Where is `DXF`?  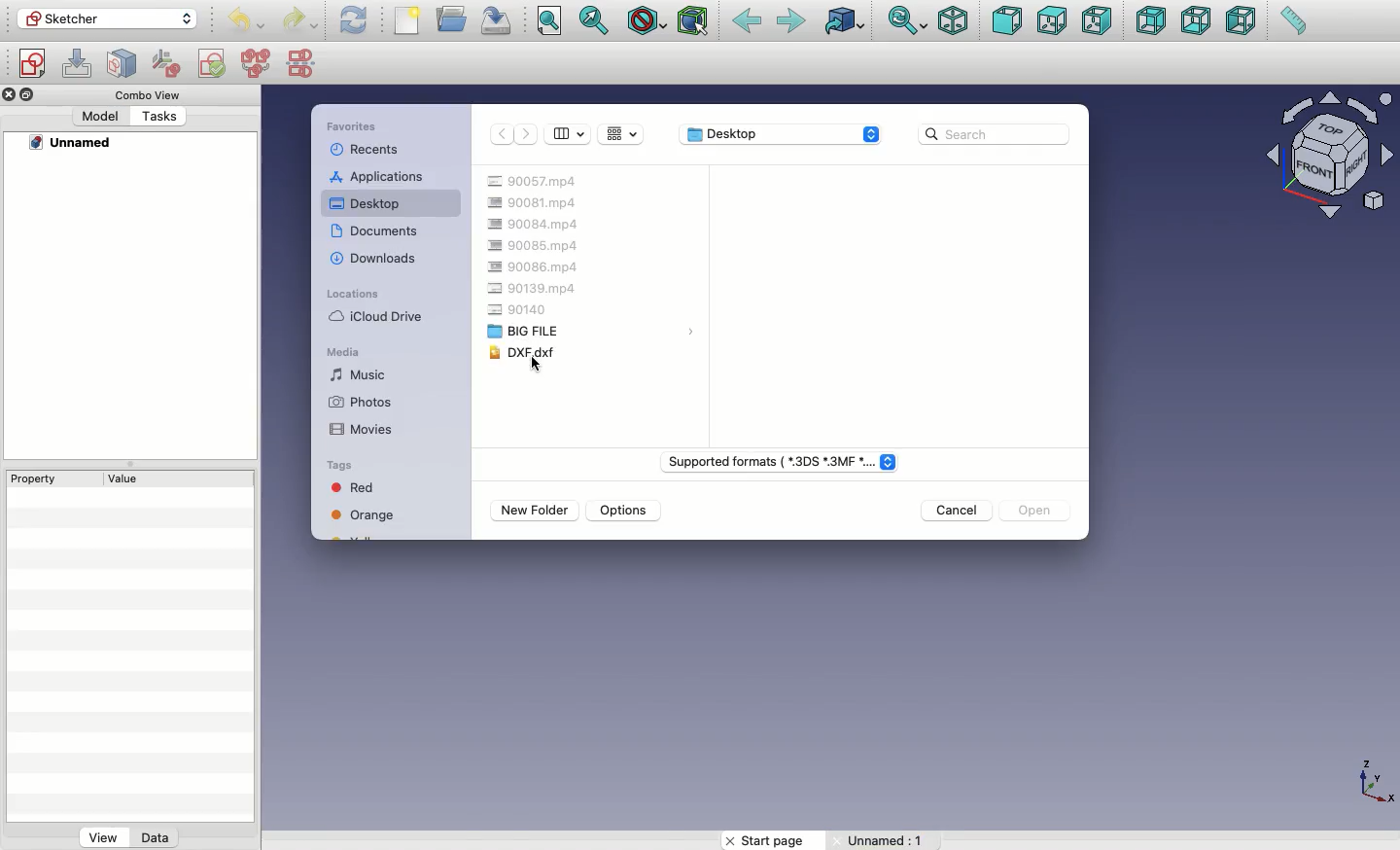
DXF is located at coordinates (522, 351).